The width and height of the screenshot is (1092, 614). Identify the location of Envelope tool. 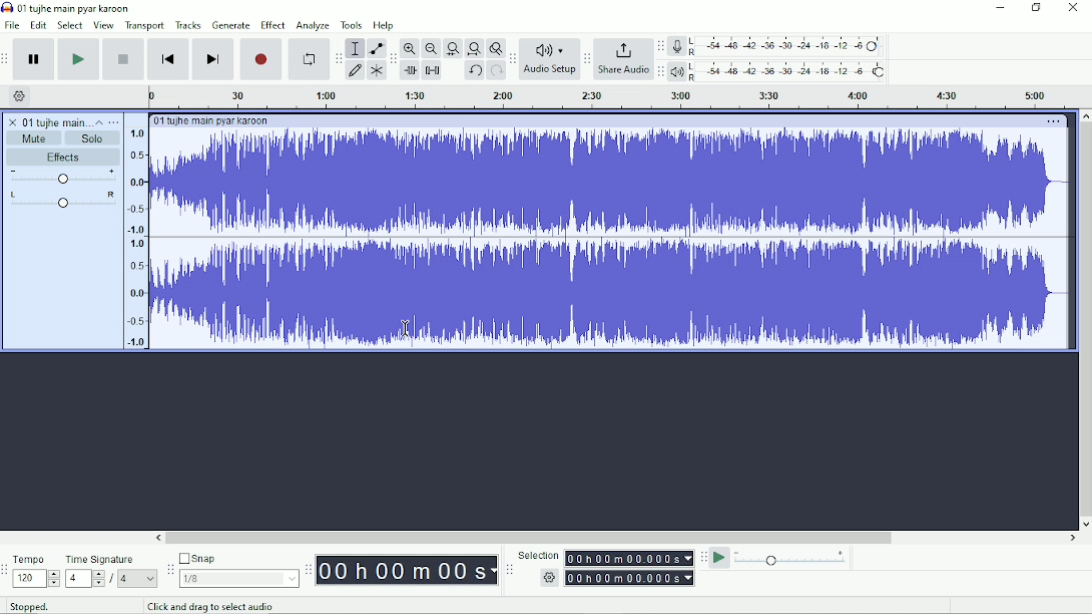
(375, 49).